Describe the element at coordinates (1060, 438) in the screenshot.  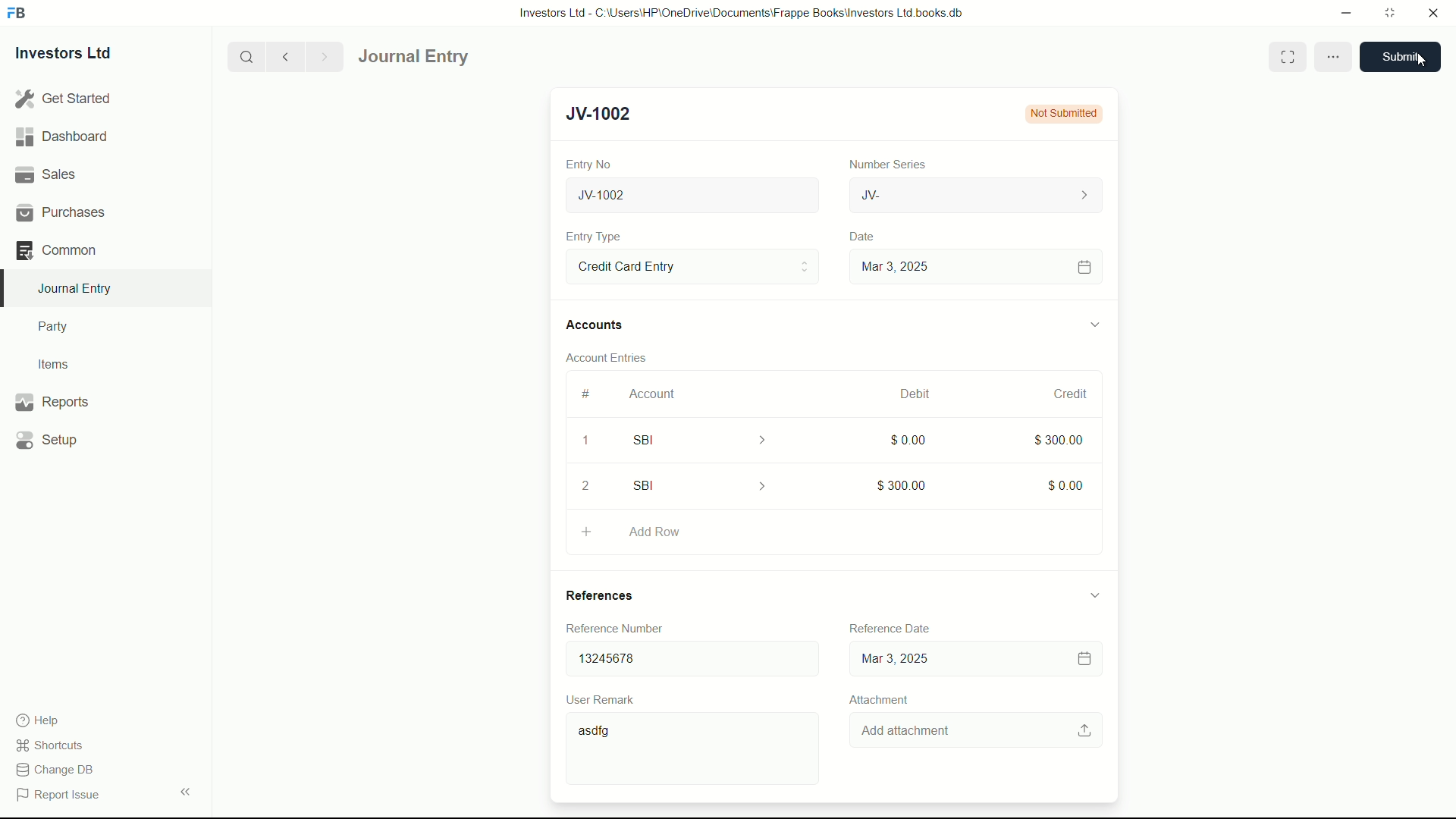
I see `$300.00` at that location.